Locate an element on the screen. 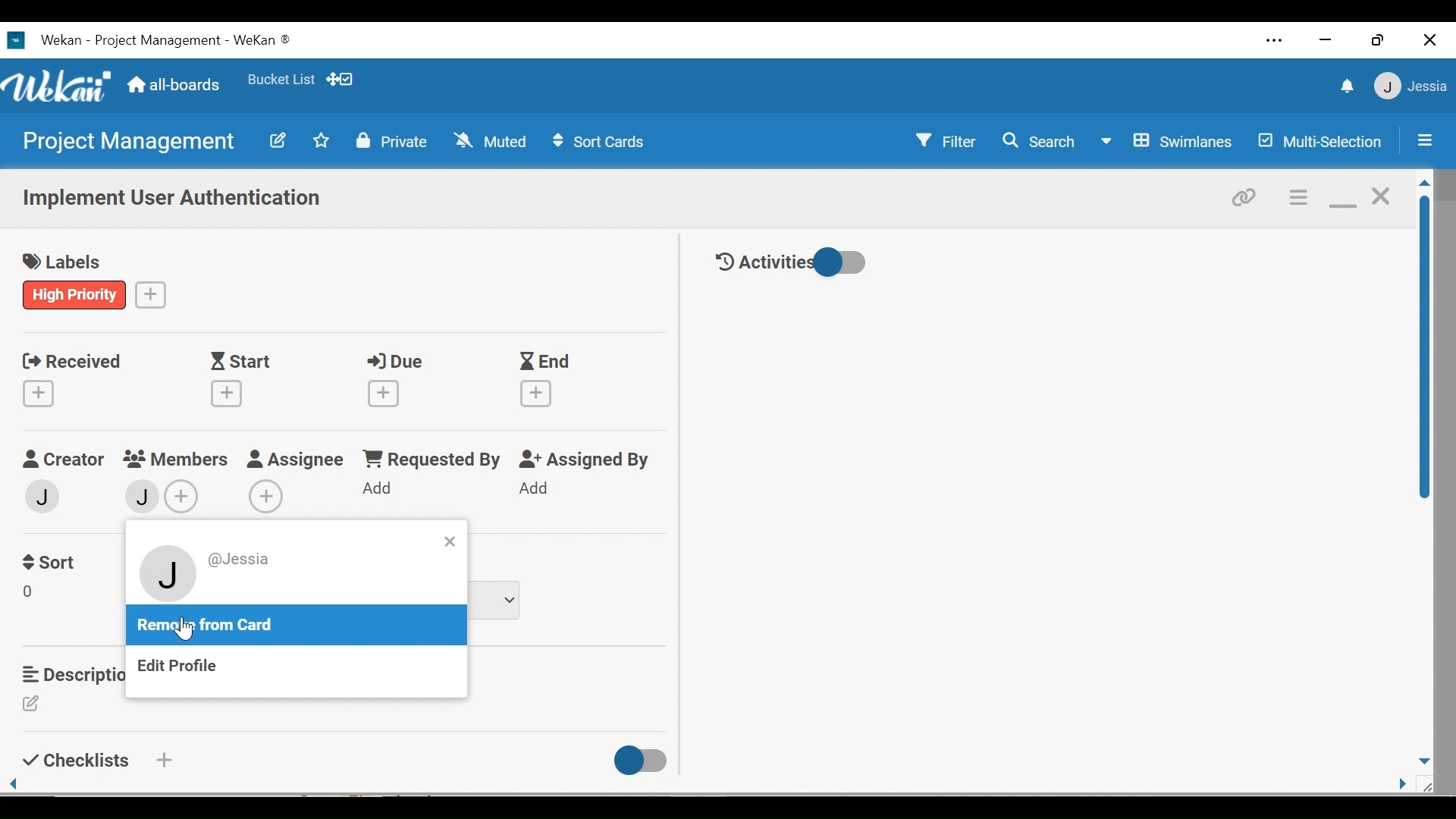 The width and height of the screenshot is (1456, 819). add is located at coordinates (162, 760).